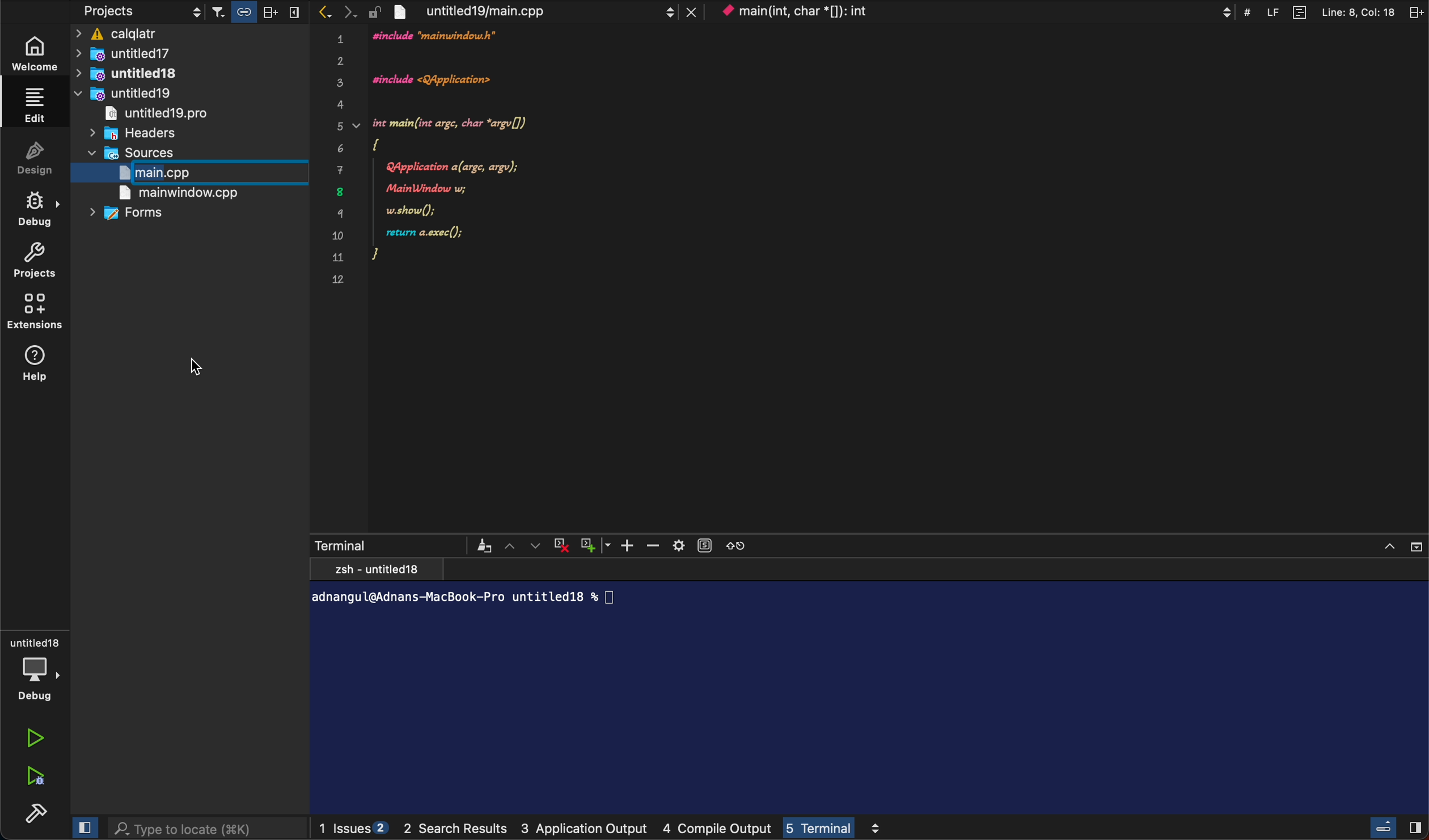  What do you see at coordinates (193, 172) in the screenshot?
I see `start typing` at bounding box center [193, 172].